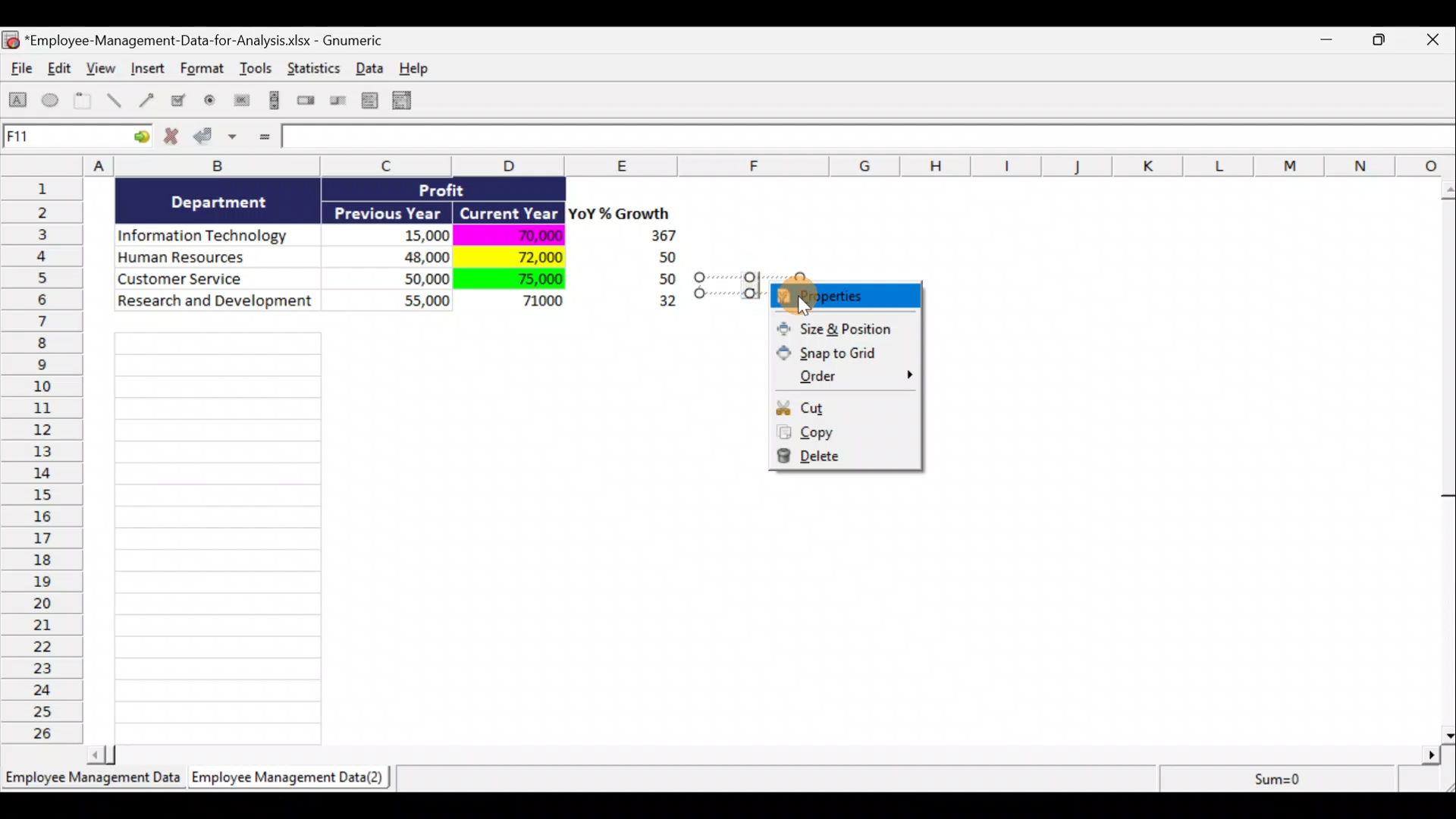 The height and width of the screenshot is (819, 1456). Describe the element at coordinates (95, 783) in the screenshot. I see `Sheet 1` at that location.